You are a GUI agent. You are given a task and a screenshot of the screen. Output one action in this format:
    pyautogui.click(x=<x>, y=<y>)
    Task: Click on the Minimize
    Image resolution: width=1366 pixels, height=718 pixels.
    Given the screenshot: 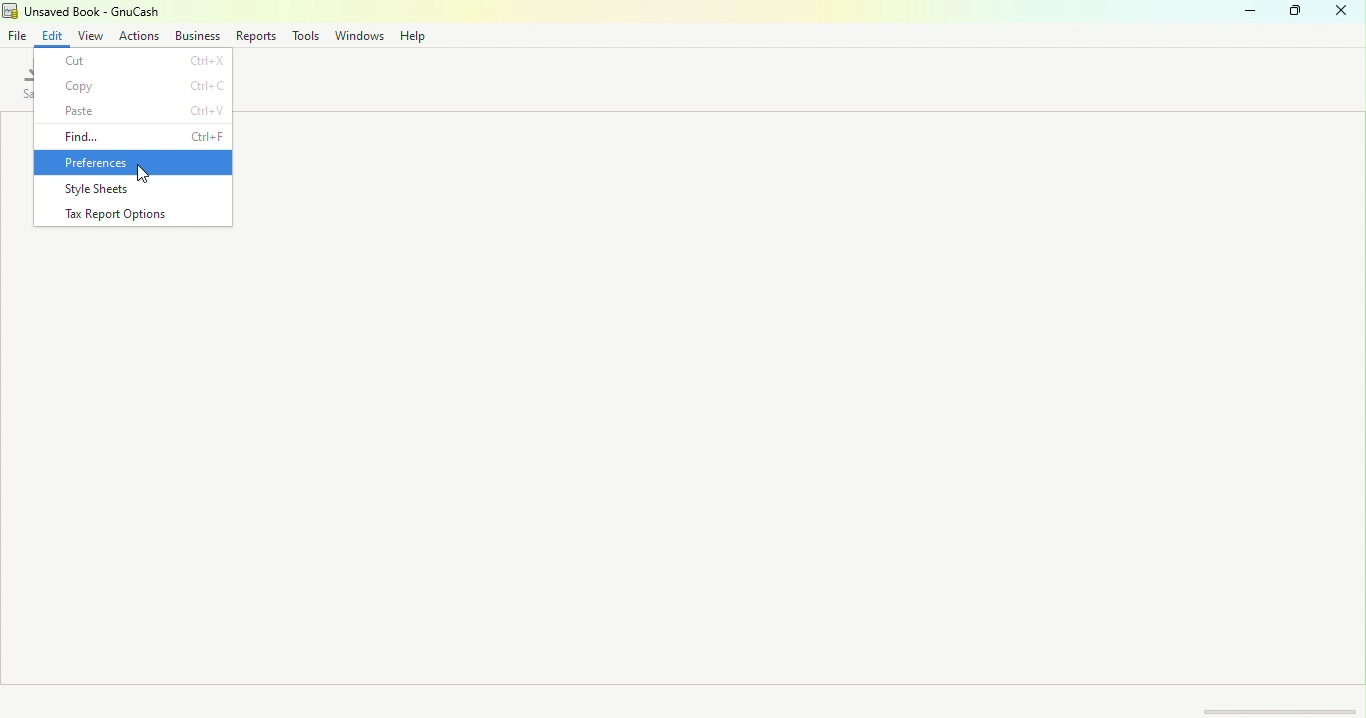 What is the action you would take?
    pyautogui.click(x=1248, y=14)
    